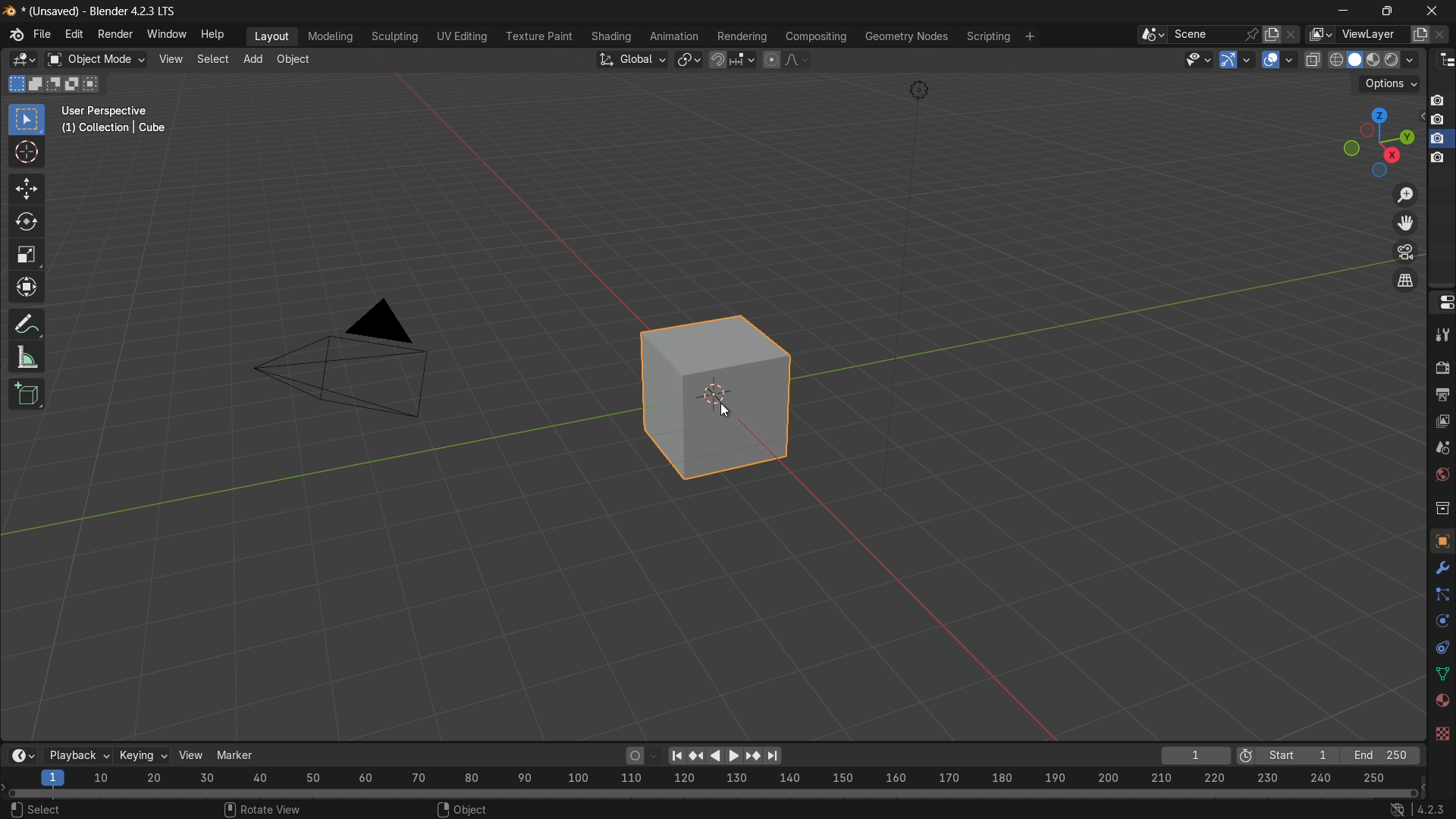  What do you see at coordinates (37, 85) in the screenshot?
I see `extend existing selection` at bounding box center [37, 85].